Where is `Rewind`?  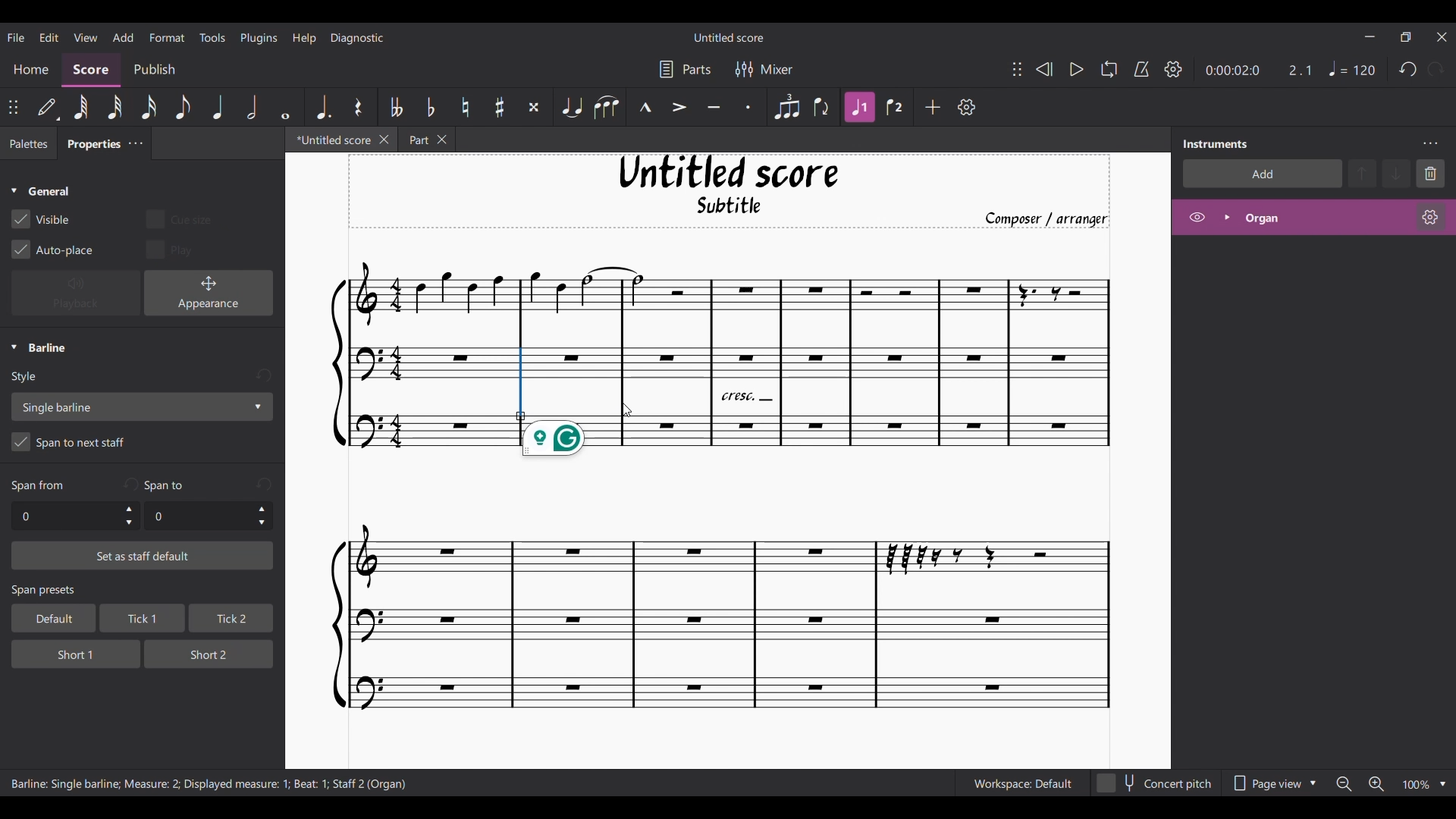
Rewind is located at coordinates (1043, 69).